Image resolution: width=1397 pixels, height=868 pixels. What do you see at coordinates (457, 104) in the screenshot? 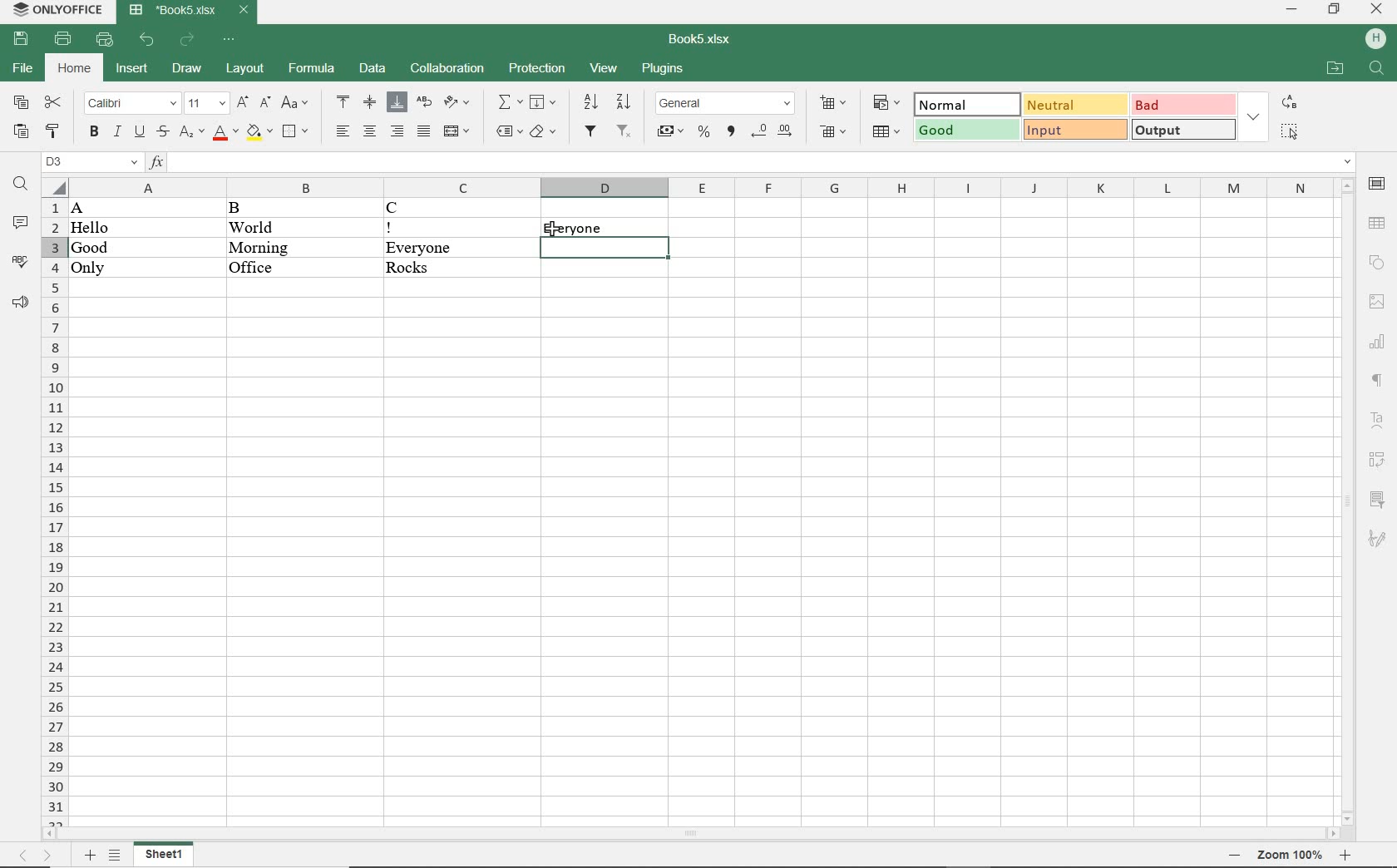
I see `orientation` at bounding box center [457, 104].